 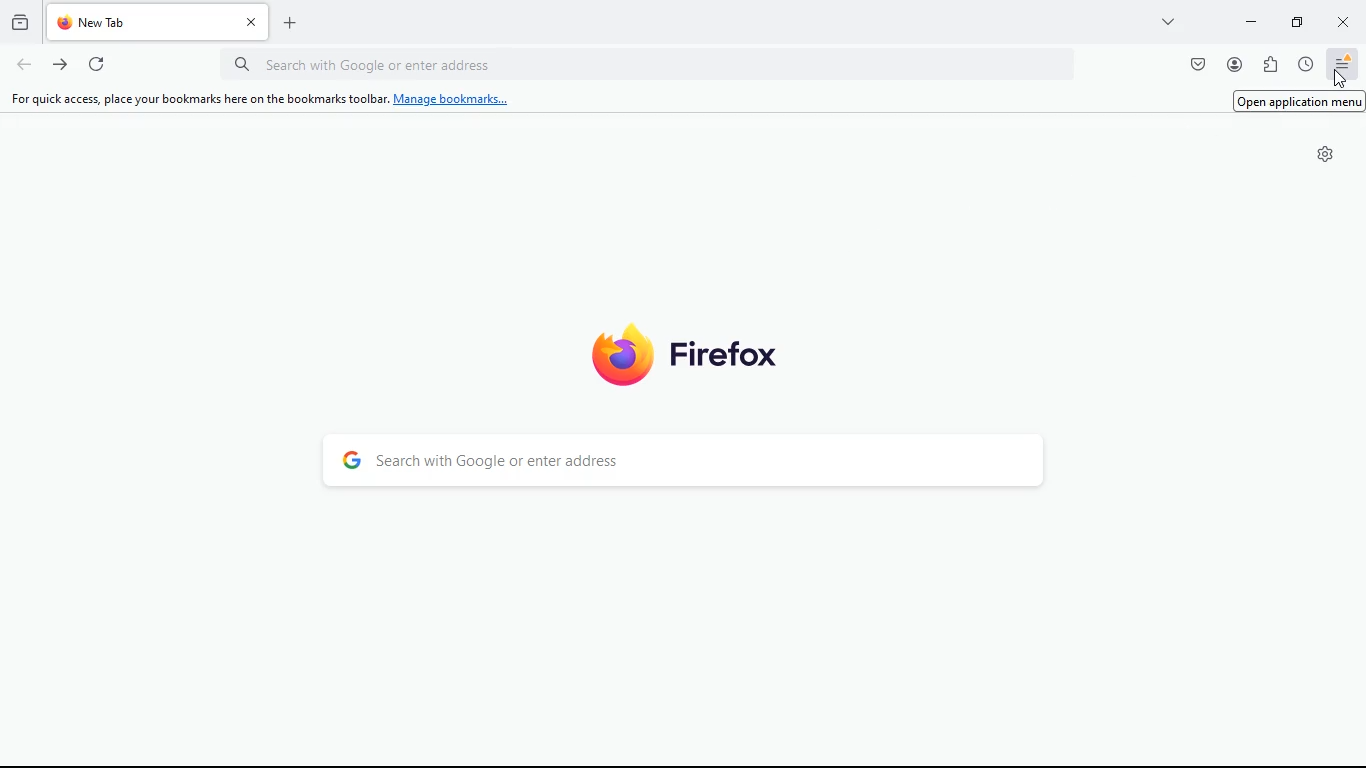 What do you see at coordinates (1343, 21) in the screenshot?
I see `close` at bounding box center [1343, 21].